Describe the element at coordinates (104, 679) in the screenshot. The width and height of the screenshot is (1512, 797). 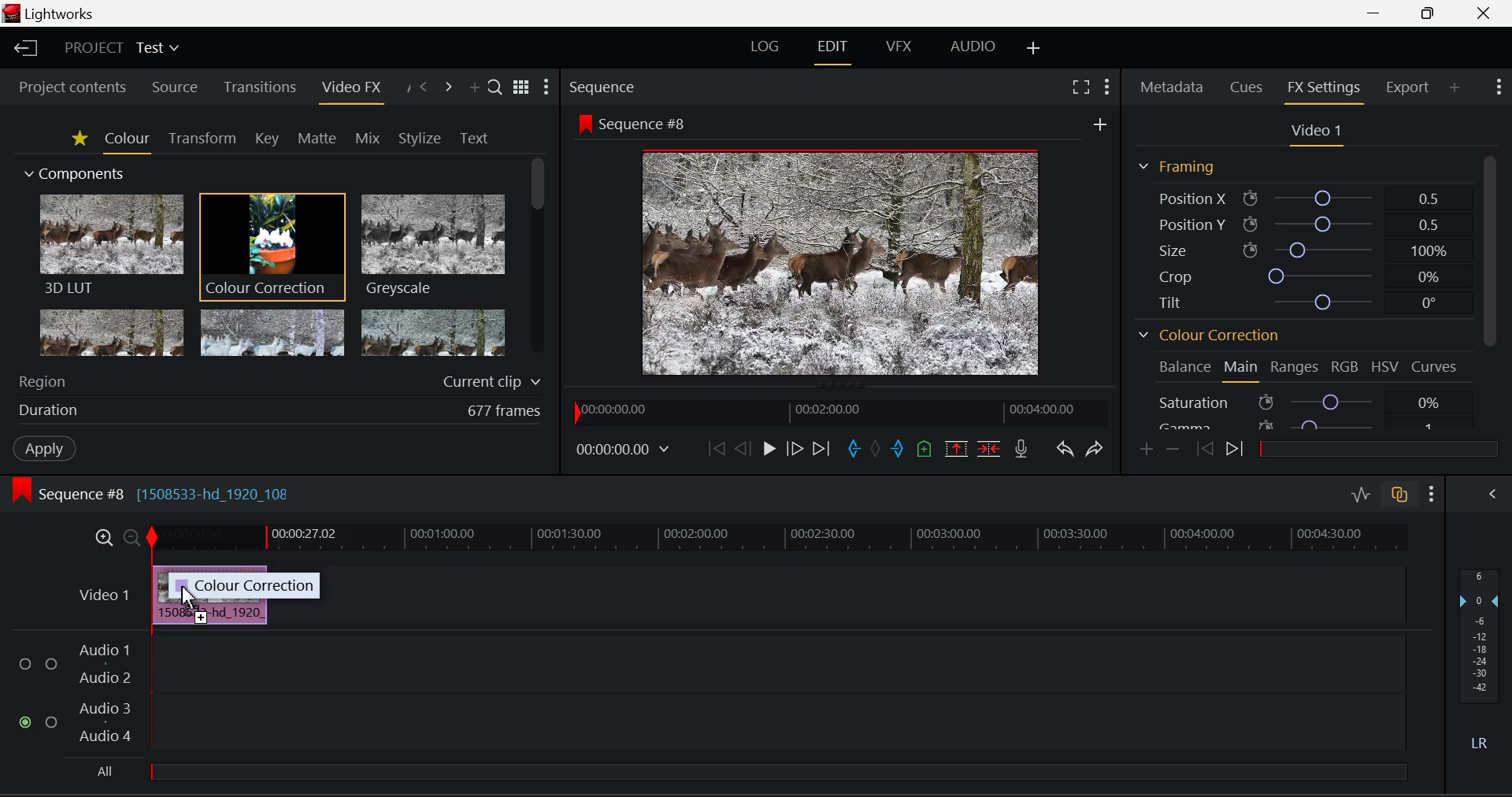
I see `Audio 2` at that location.